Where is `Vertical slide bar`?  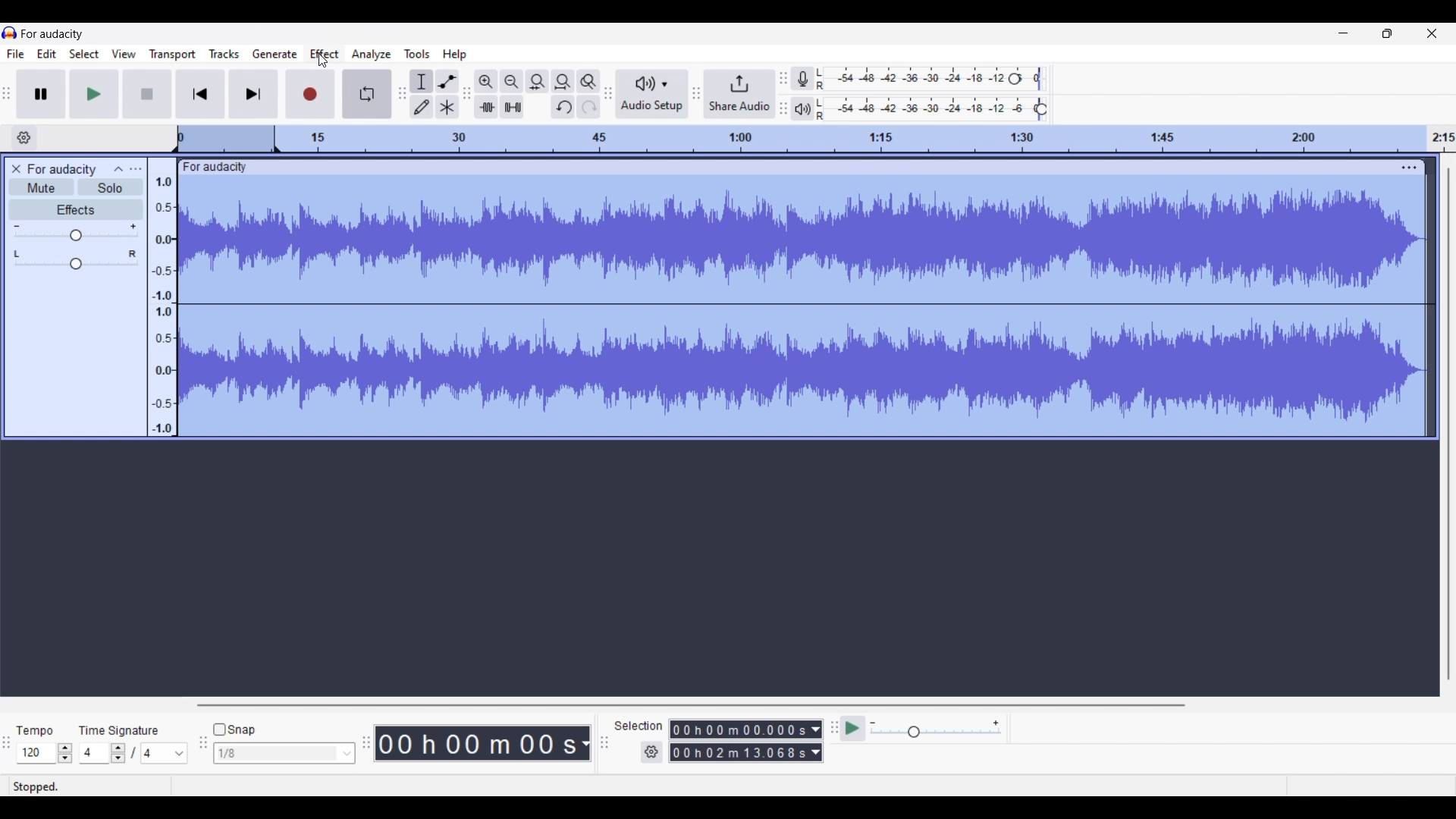
Vertical slide bar is located at coordinates (1448, 423).